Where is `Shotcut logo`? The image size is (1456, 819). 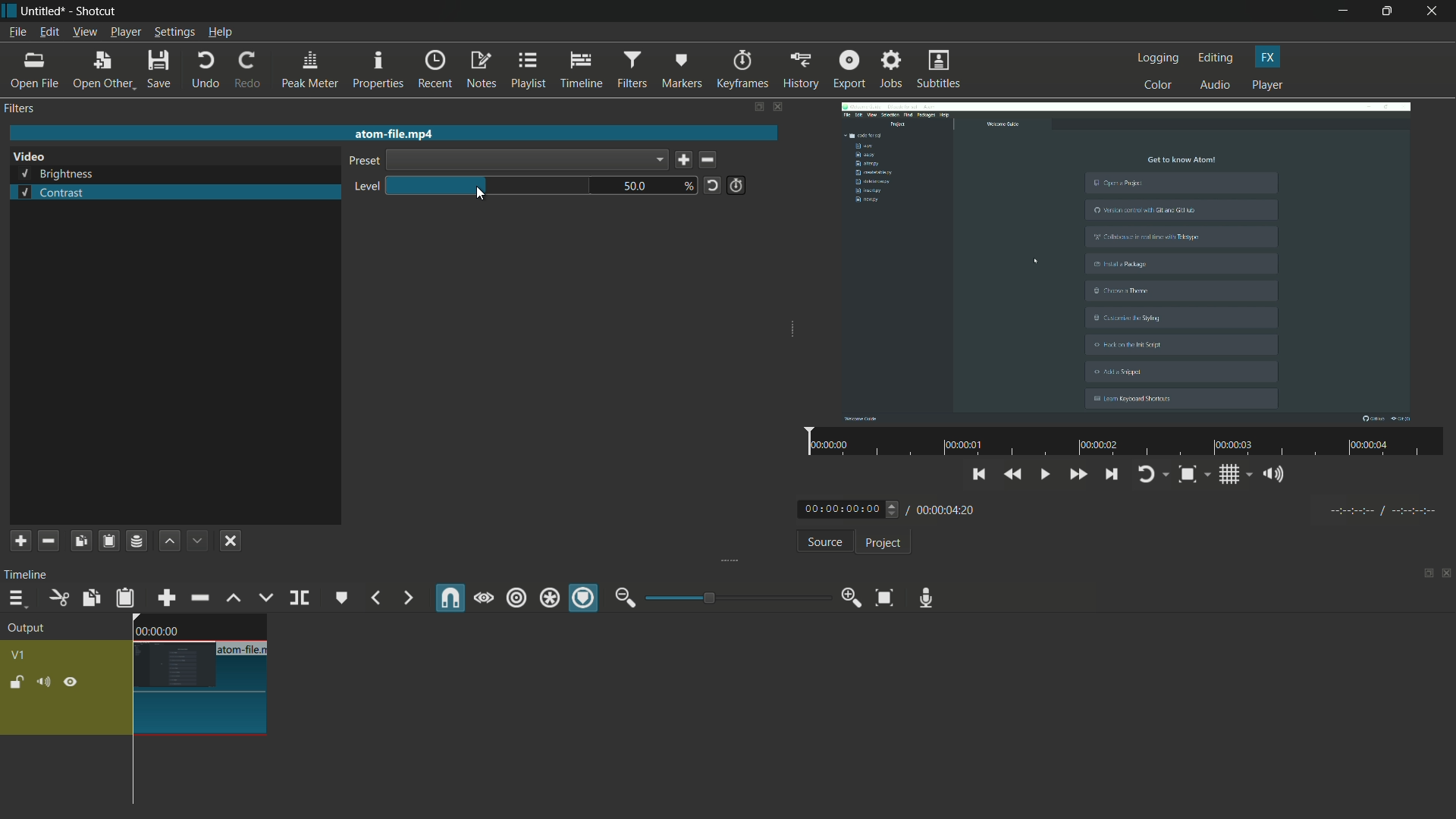
Shotcut logo is located at coordinates (9, 11).